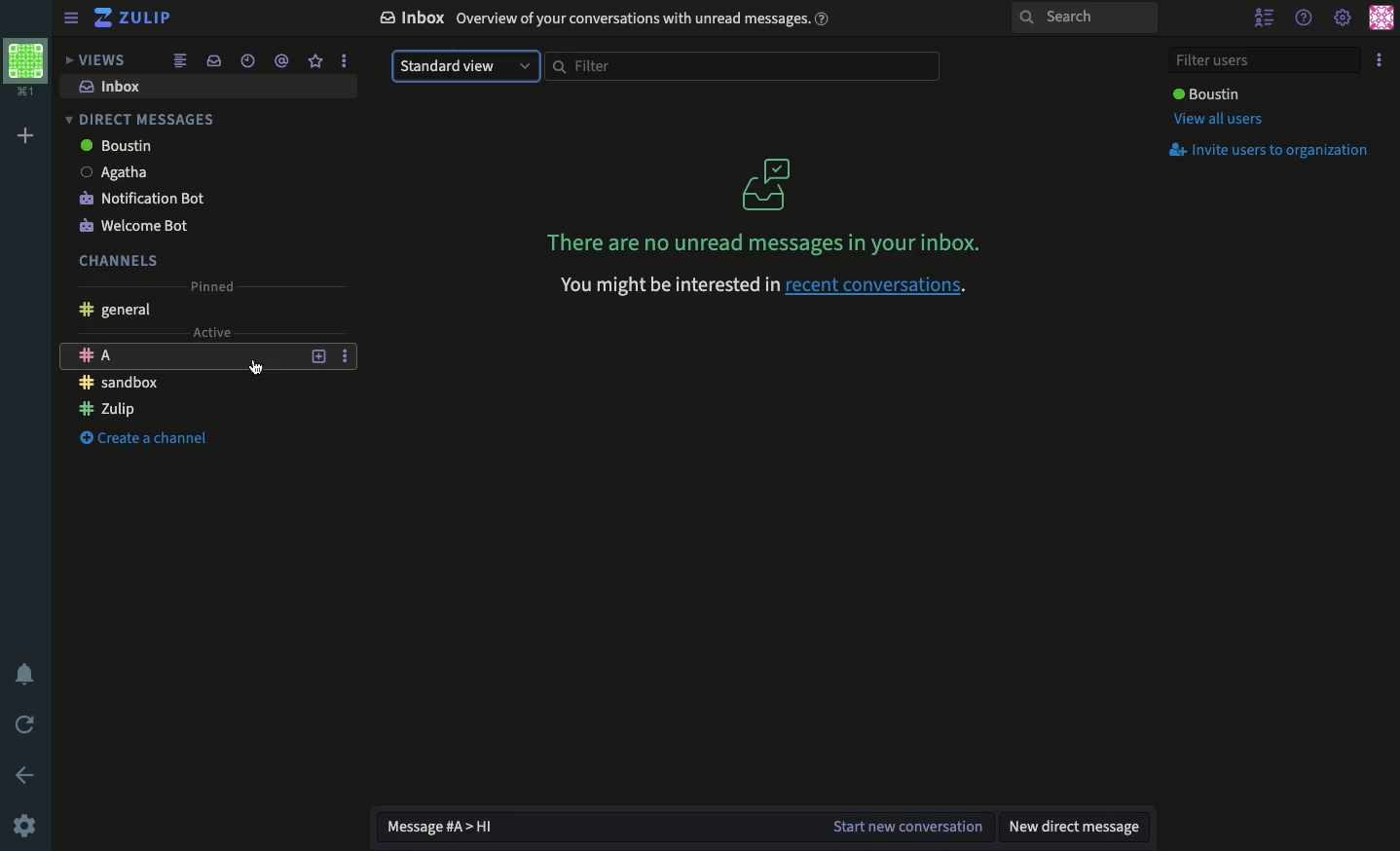 The image size is (1400, 851). What do you see at coordinates (464, 66) in the screenshot?
I see `Standard view` at bounding box center [464, 66].